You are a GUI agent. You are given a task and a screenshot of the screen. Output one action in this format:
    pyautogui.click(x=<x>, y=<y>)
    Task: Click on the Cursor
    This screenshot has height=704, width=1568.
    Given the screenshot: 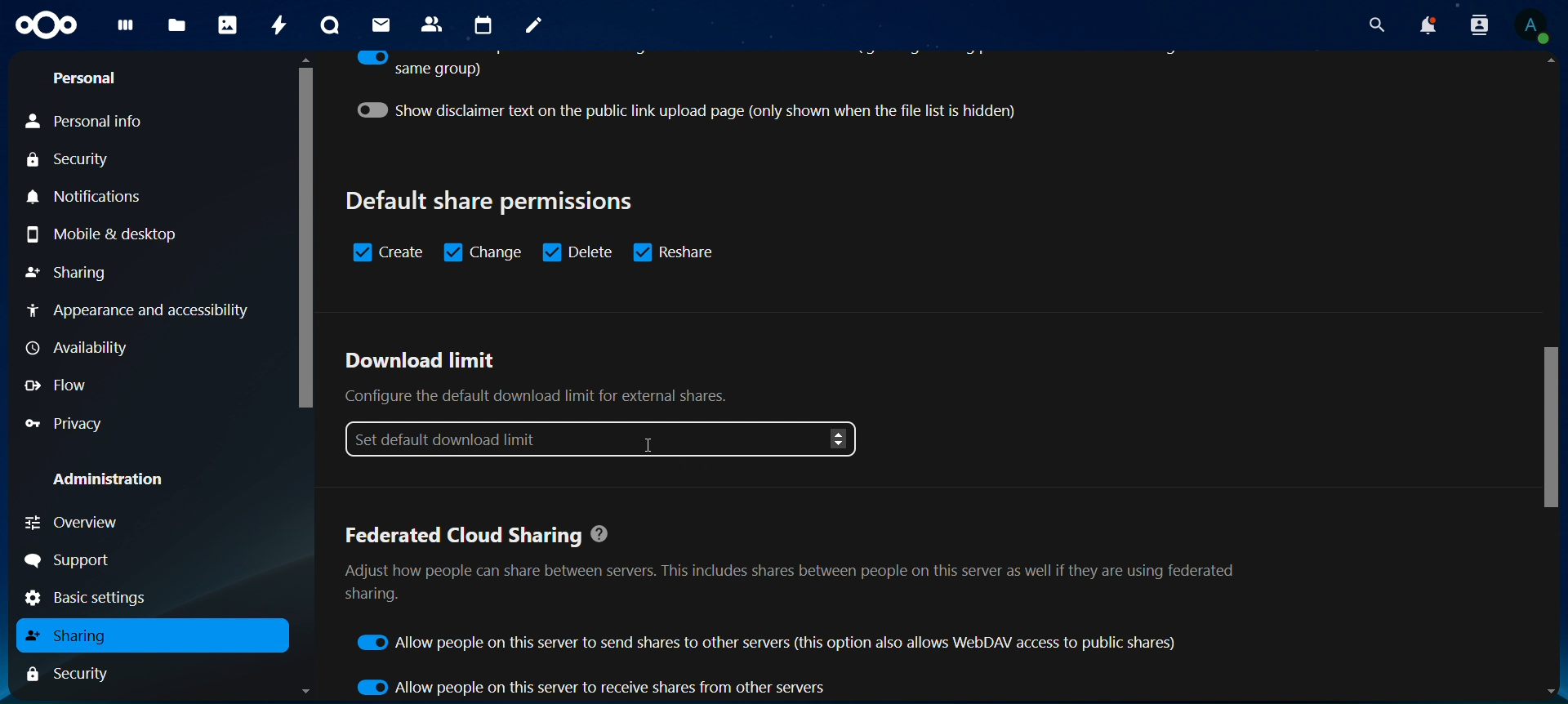 What is the action you would take?
    pyautogui.click(x=652, y=446)
    